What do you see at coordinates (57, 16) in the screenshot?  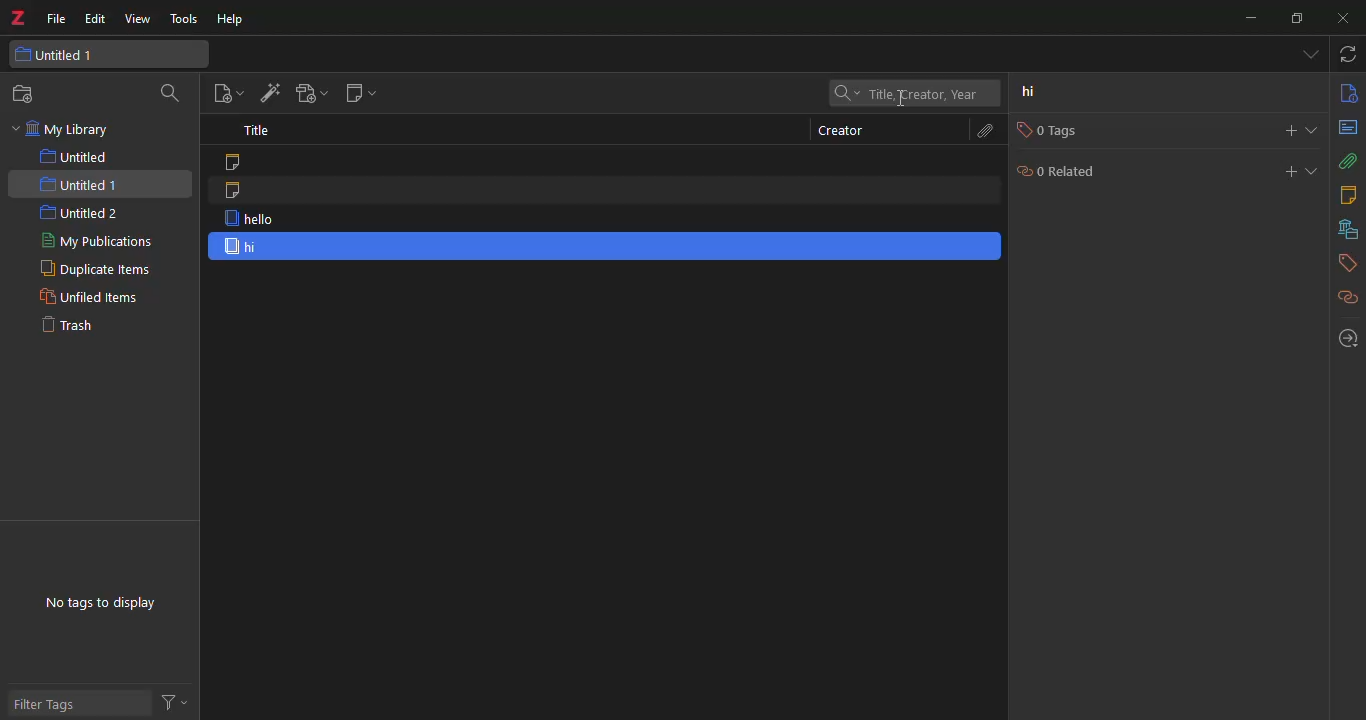 I see `file` at bounding box center [57, 16].